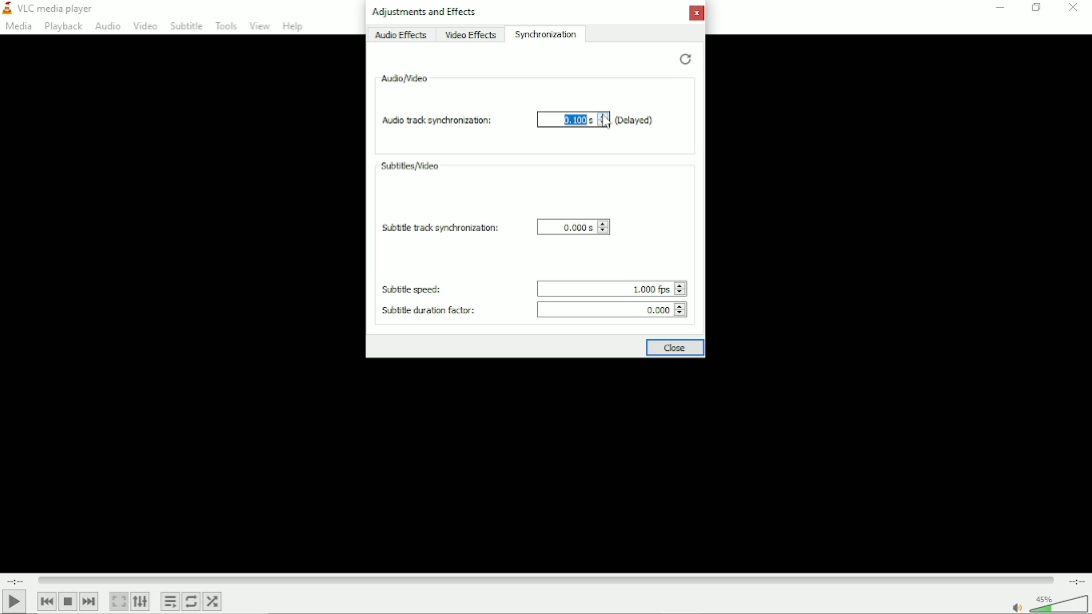  Describe the element at coordinates (226, 25) in the screenshot. I see `Tools` at that location.